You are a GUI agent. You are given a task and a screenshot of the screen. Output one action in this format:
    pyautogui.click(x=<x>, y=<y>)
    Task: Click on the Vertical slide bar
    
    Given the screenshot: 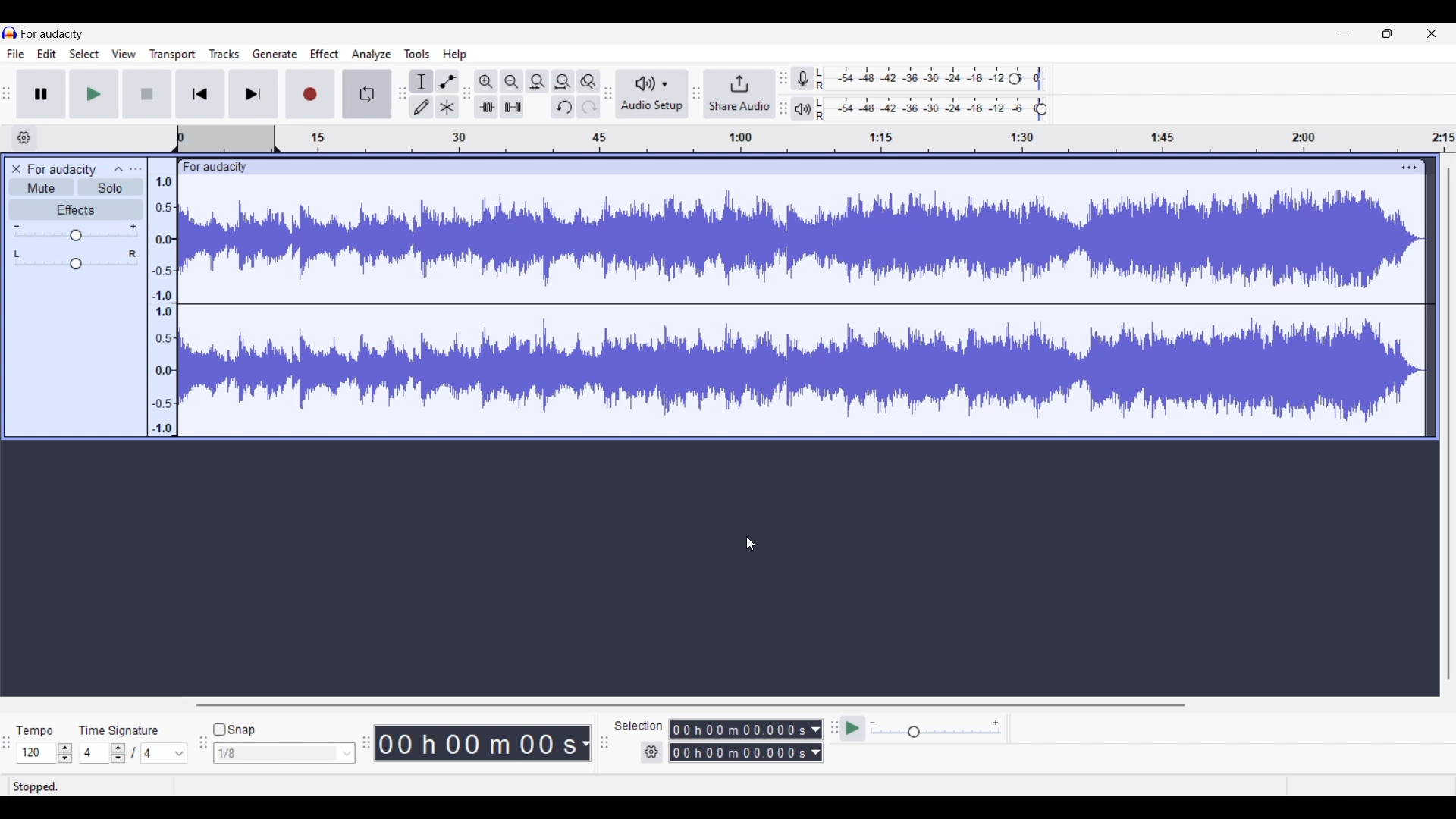 What is the action you would take?
    pyautogui.click(x=1449, y=425)
    